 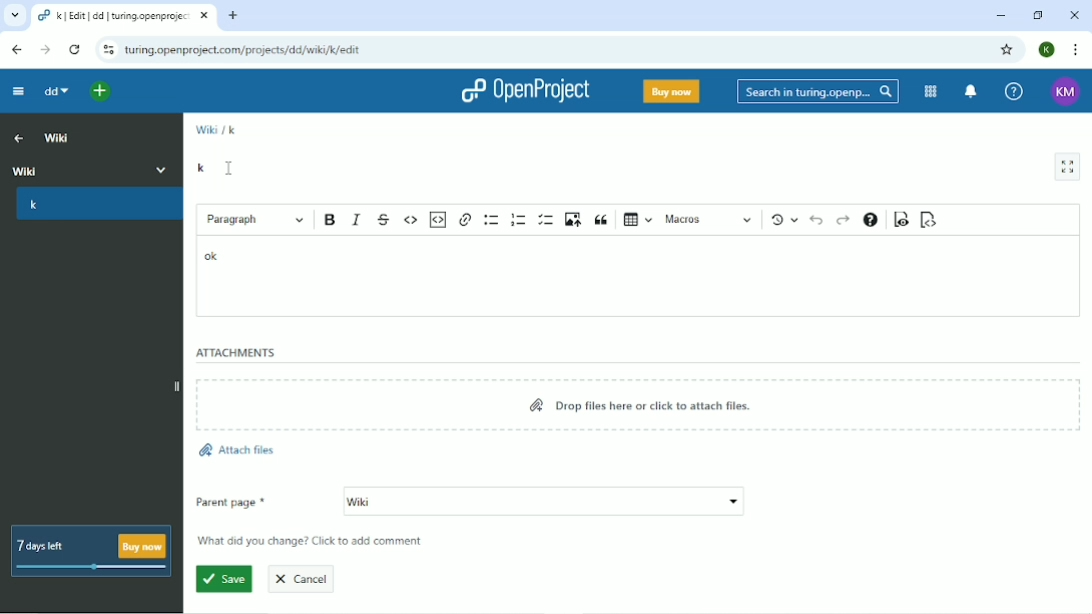 I want to click on Wiki, so click(x=544, y=502).